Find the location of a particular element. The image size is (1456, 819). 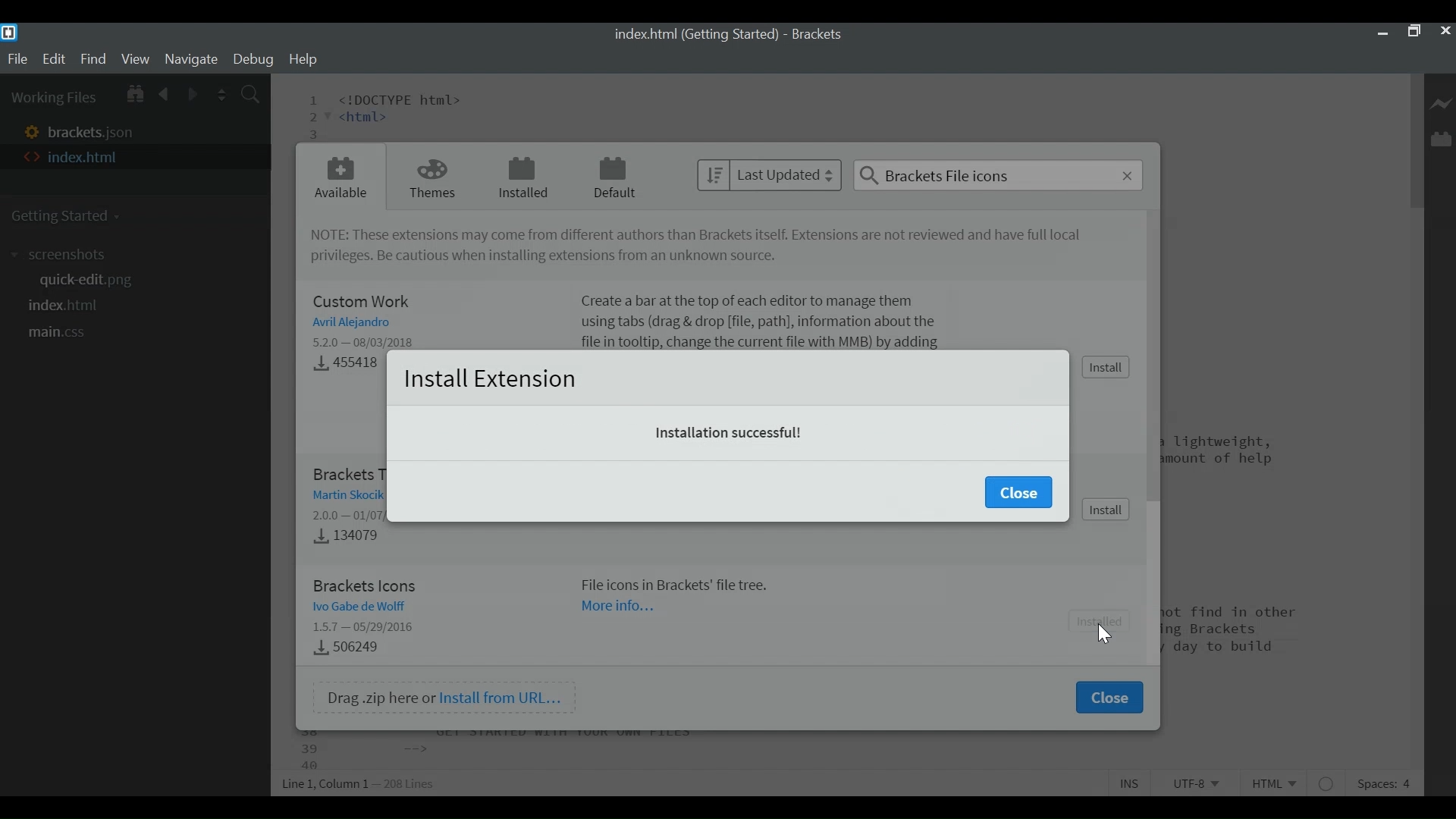

Navigate Forward is located at coordinates (192, 93).